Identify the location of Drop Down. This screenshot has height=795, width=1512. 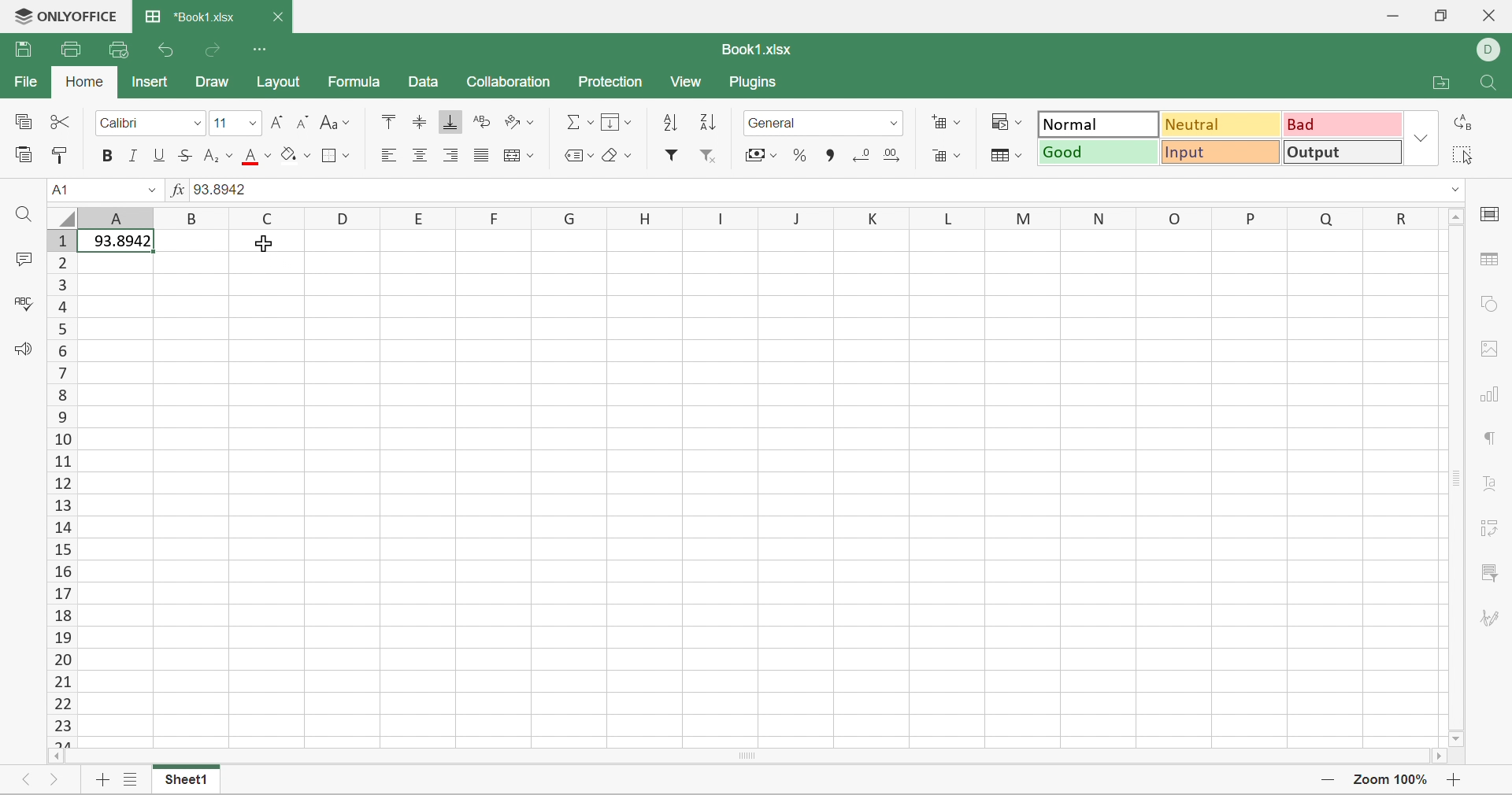
(196, 122).